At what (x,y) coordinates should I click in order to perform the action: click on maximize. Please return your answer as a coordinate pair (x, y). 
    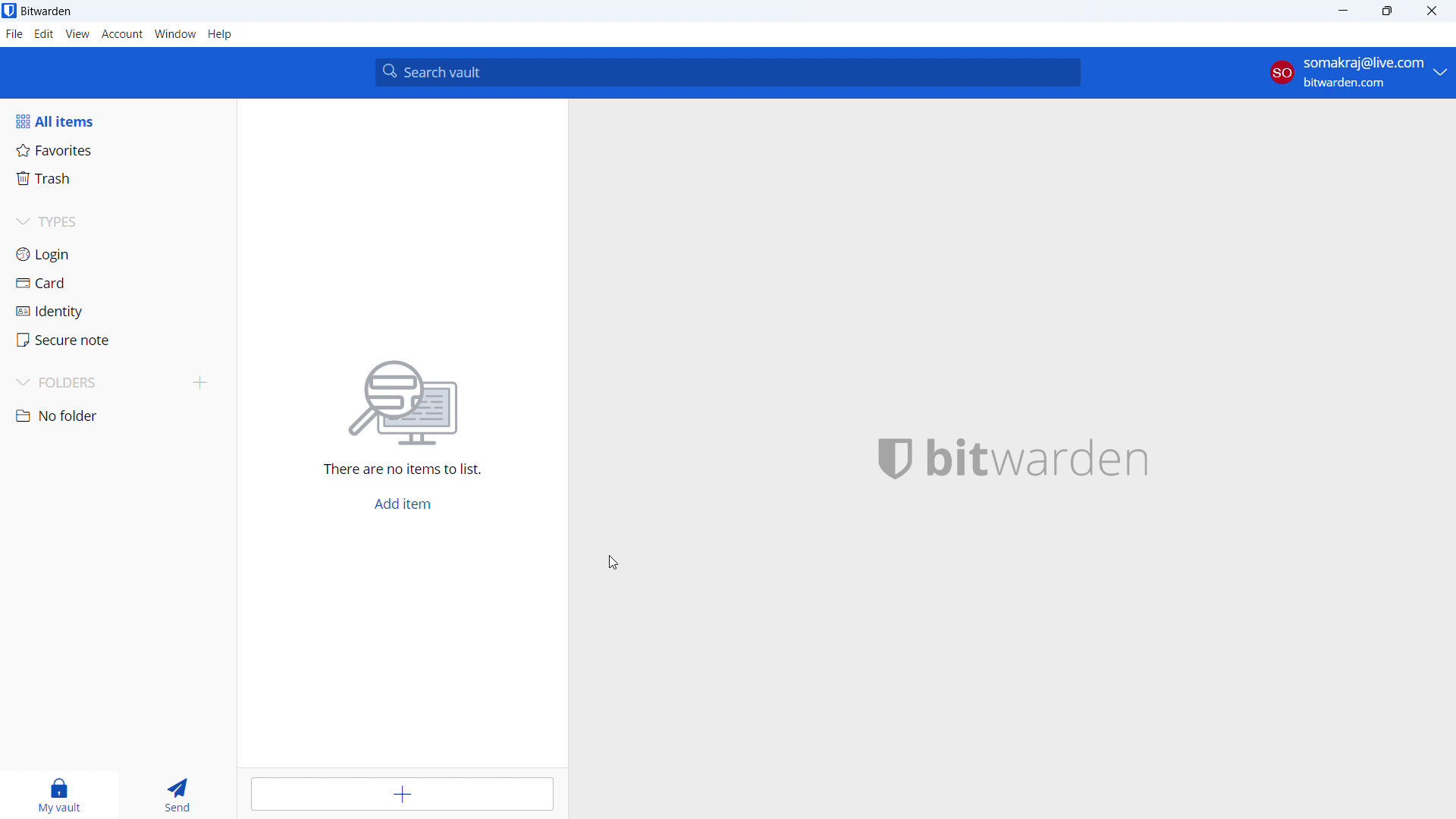
    Looking at the image, I should click on (1387, 11).